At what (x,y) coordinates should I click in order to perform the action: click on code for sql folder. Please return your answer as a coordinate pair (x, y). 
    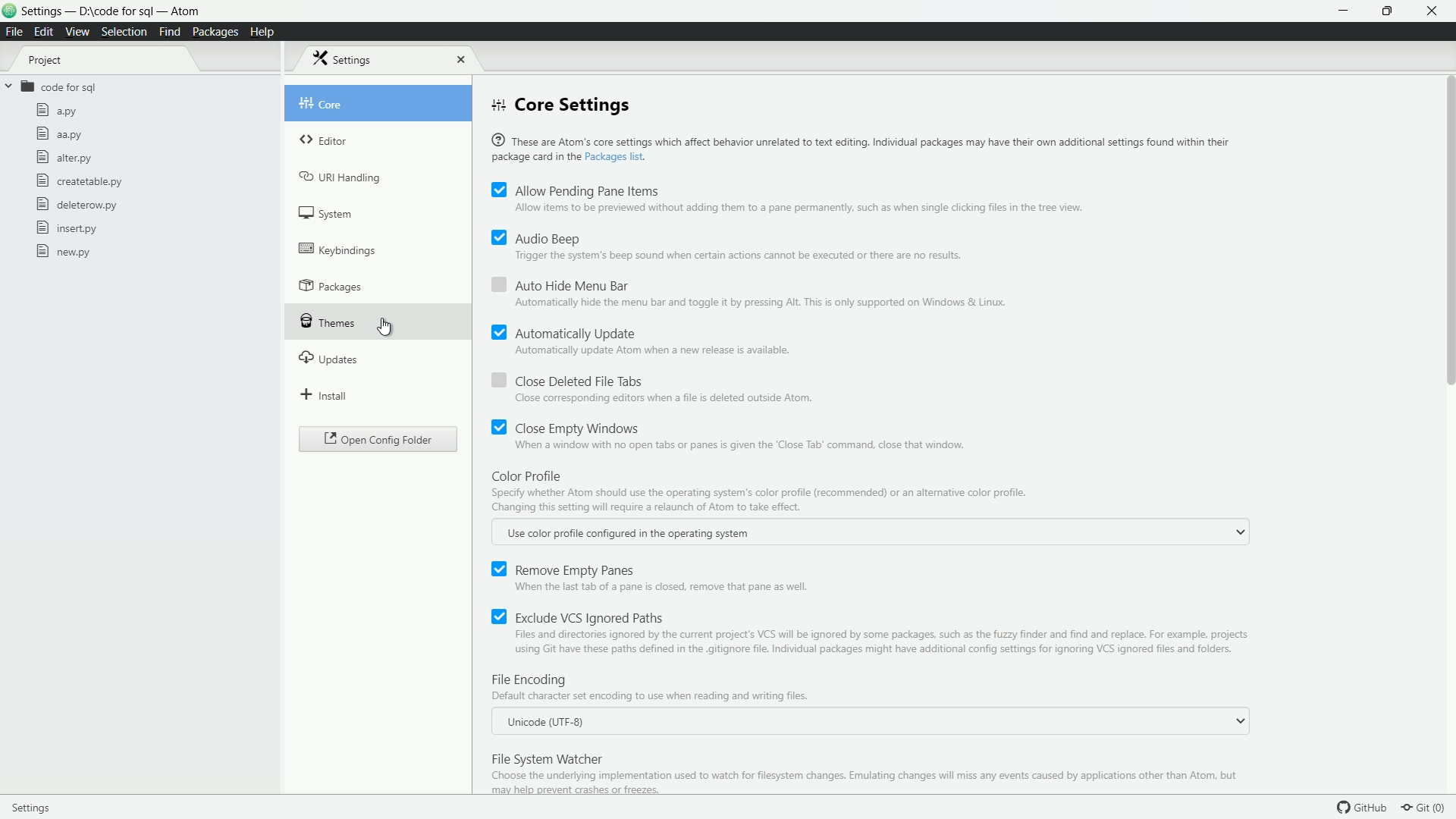
    Looking at the image, I should click on (56, 86).